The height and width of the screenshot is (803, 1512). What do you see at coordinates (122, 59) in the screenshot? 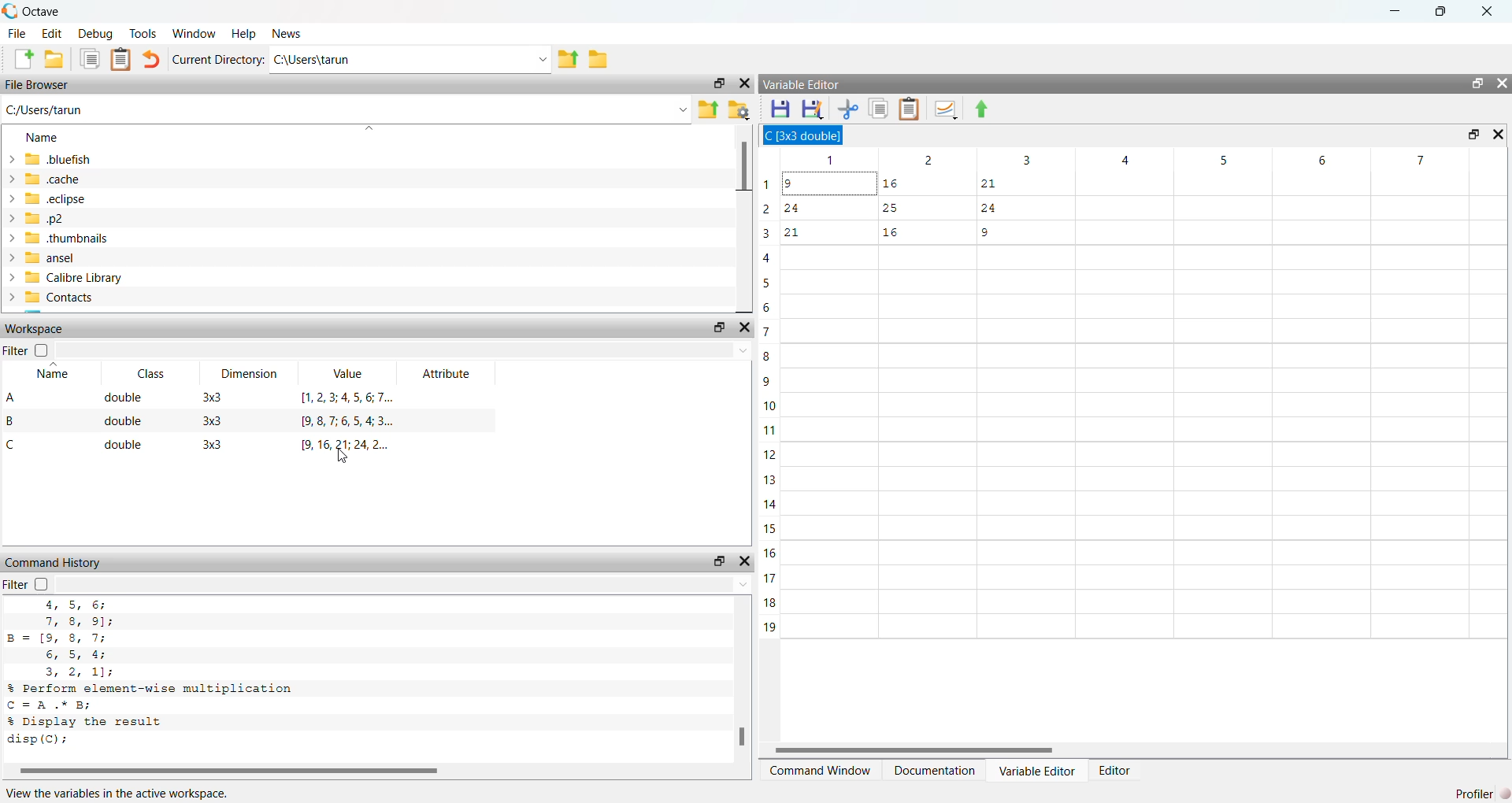
I see `Document Clipboard` at bounding box center [122, 59].